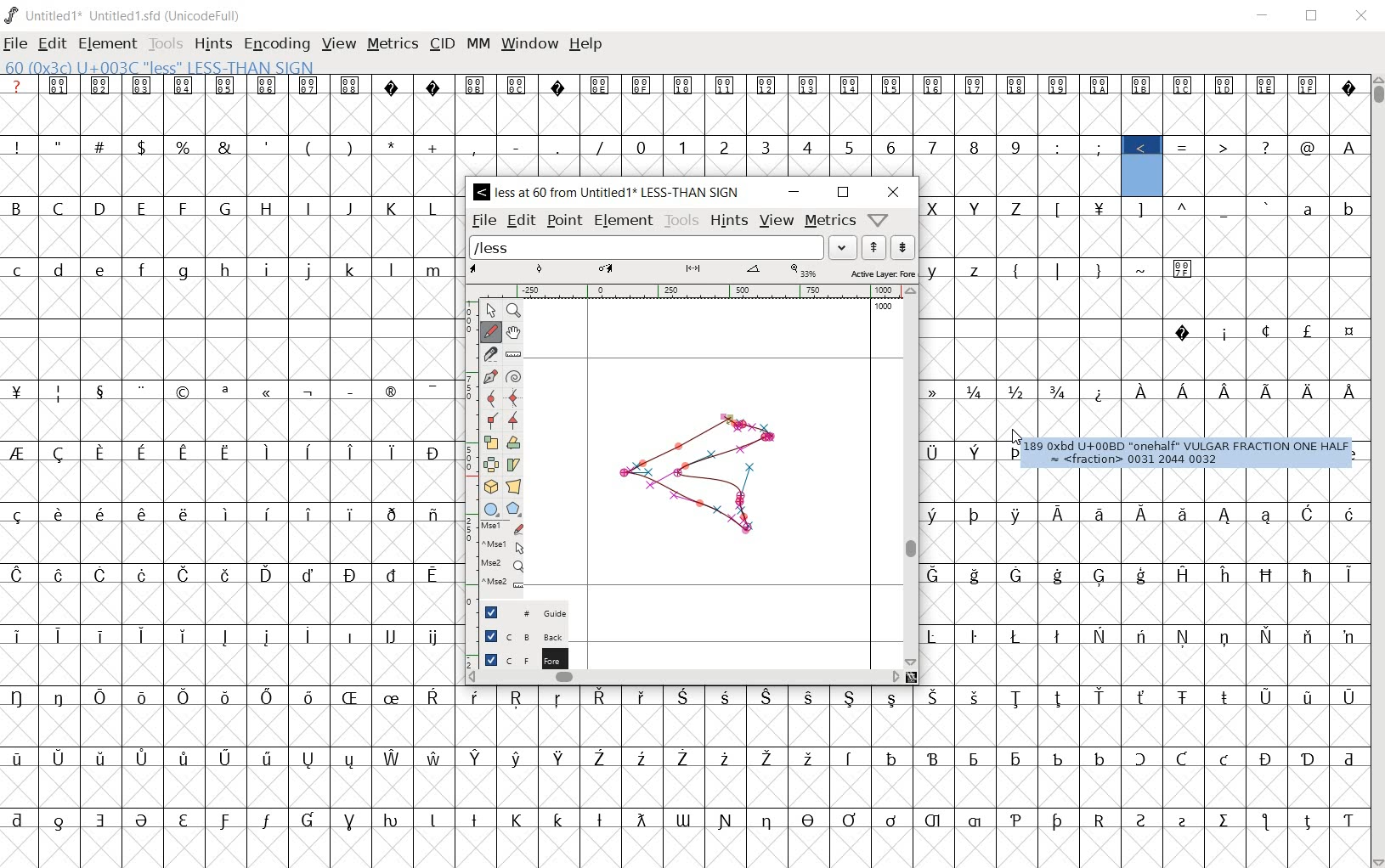 Image resolution: width=1385 pixels, height=868 pixels. What do you see at coordinates (1162, 209) in the screenshot?
I see `sumbols` at bounding box center [1162, 209].